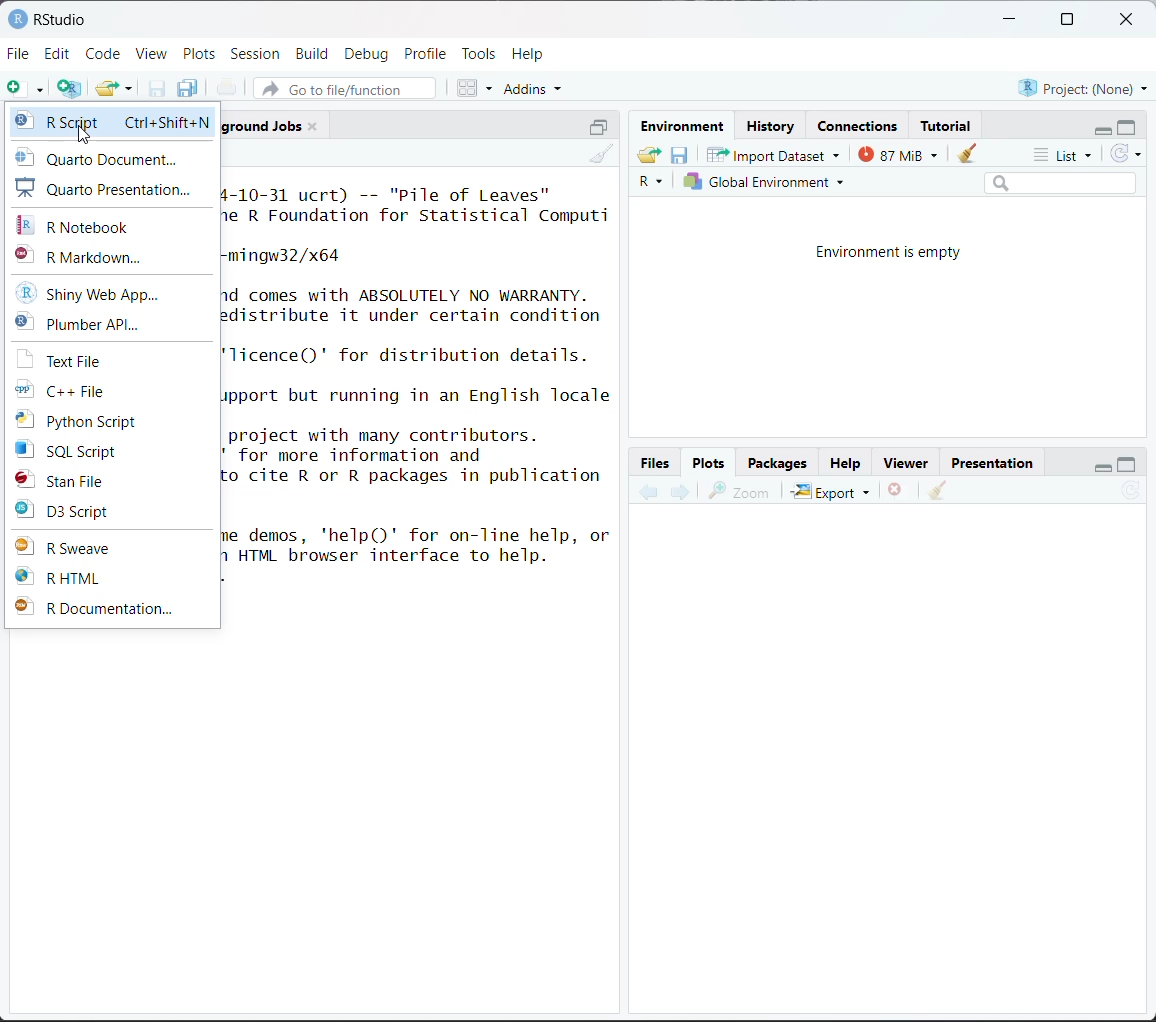 The image size is (1156, 1022). What do you see at coordinates (65, 510) in the screenshot?
I see `D3 Script` at bounding box center [65, 510].